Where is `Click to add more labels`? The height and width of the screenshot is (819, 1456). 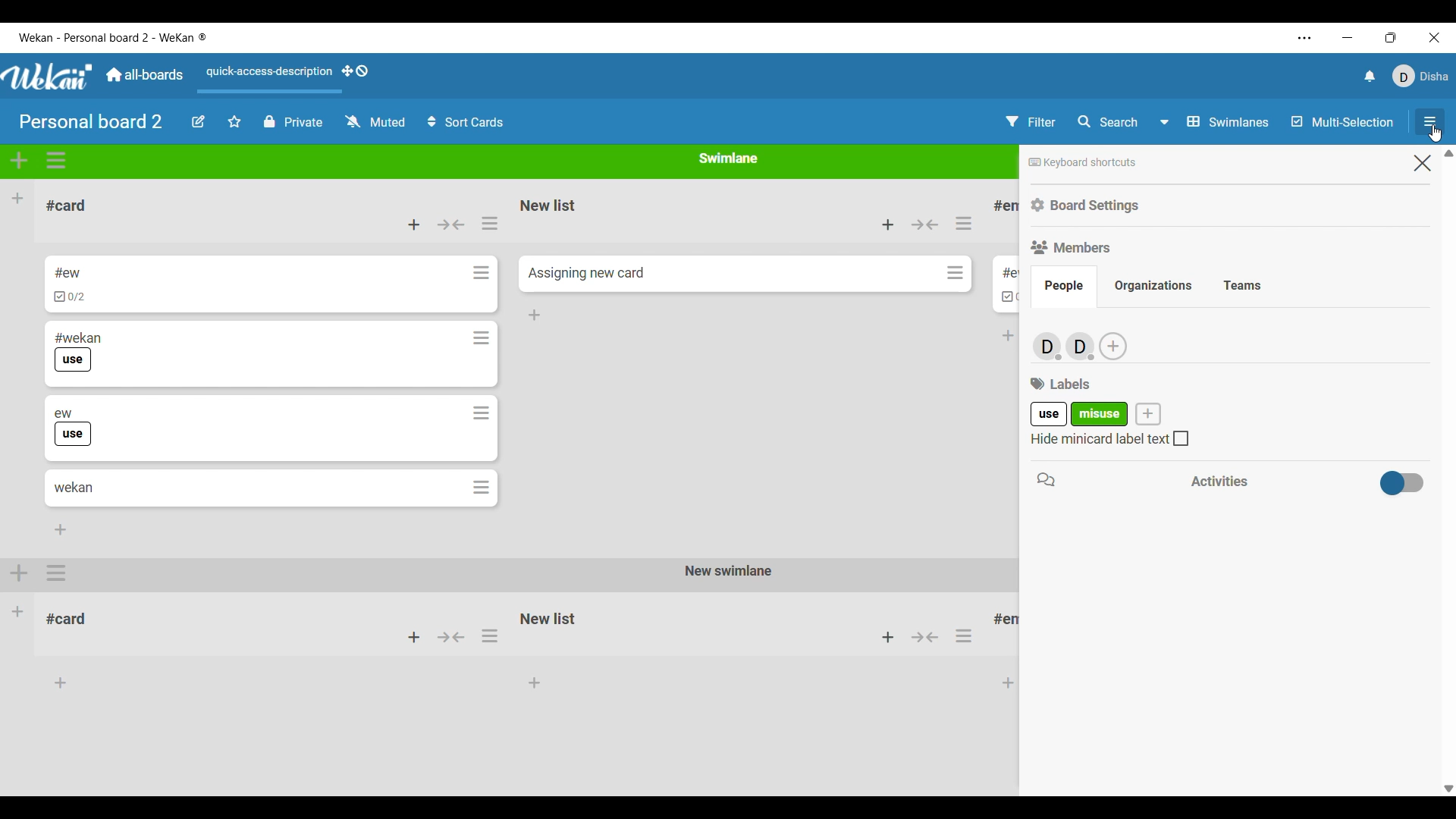 Click to add more labels is located at coordinates (1148, 413).